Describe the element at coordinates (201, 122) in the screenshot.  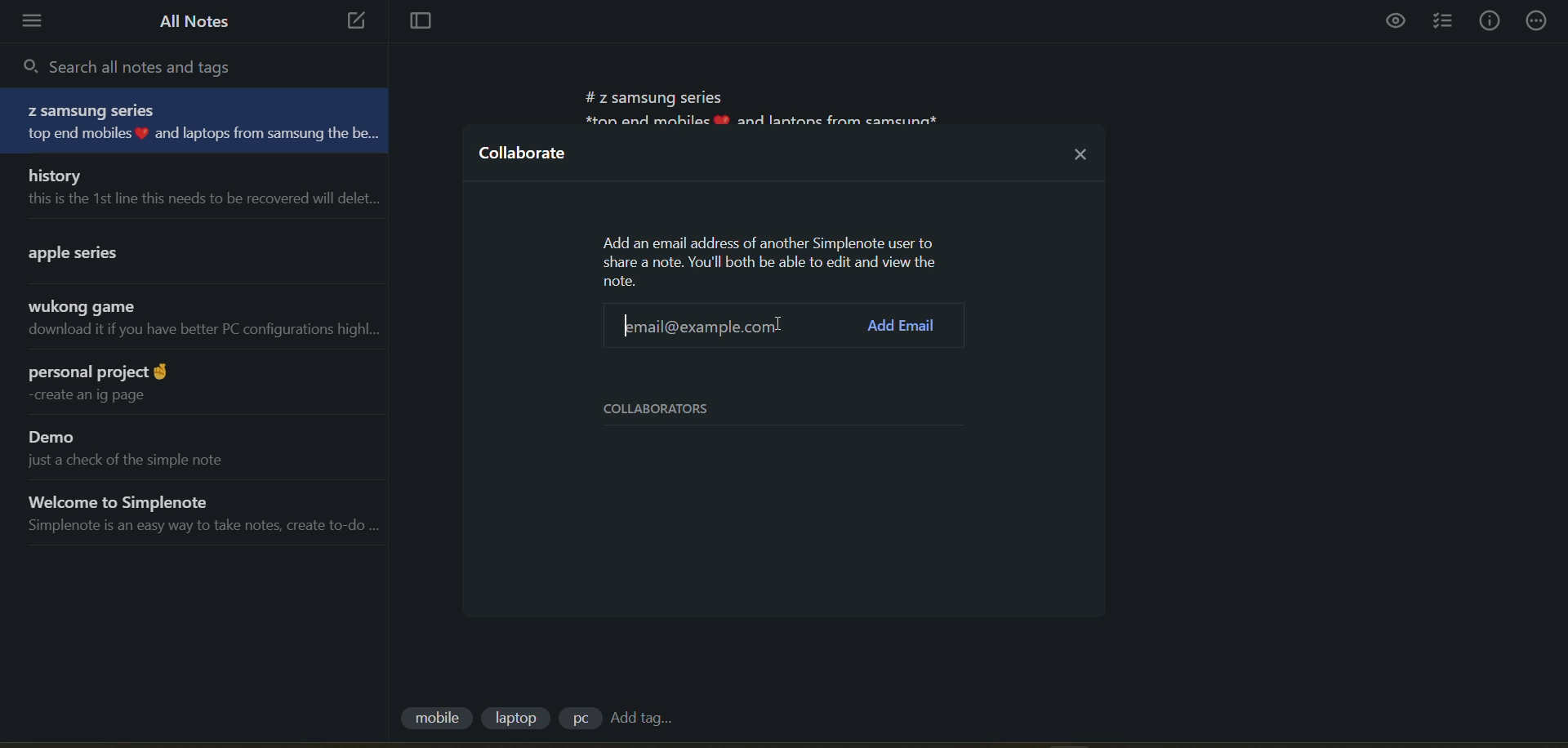
I see `note title and preview` at that location.